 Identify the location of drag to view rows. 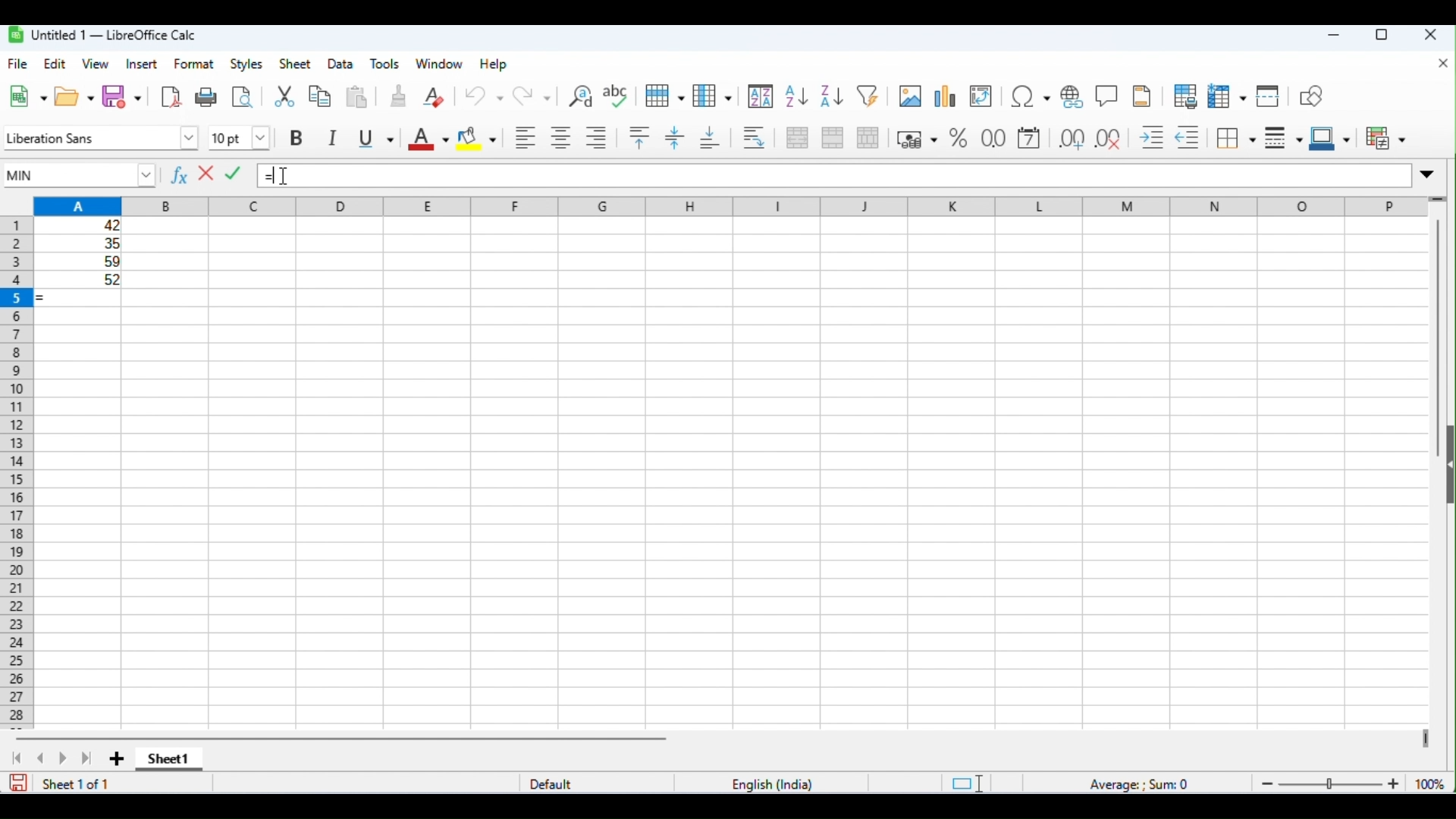
(1438, 197).